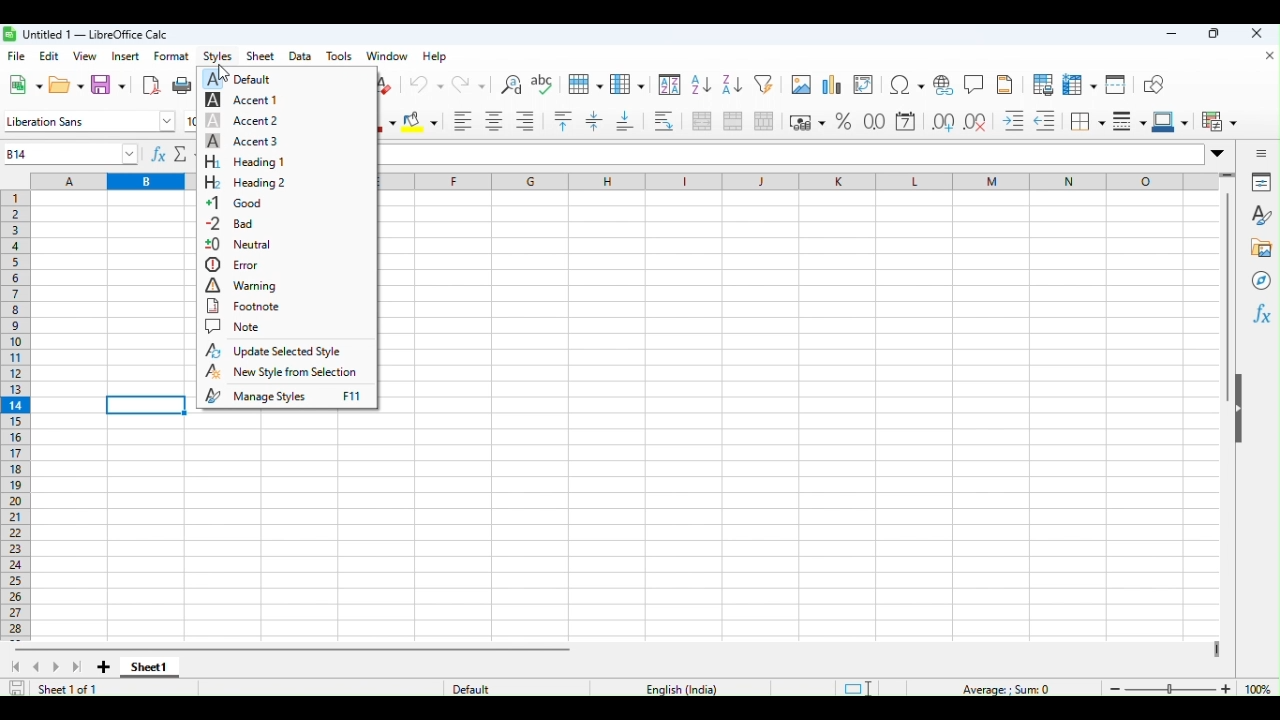 Image resolution: width=1280 pixels, height=720 pixels. I want to click on j, so click(761, 181).